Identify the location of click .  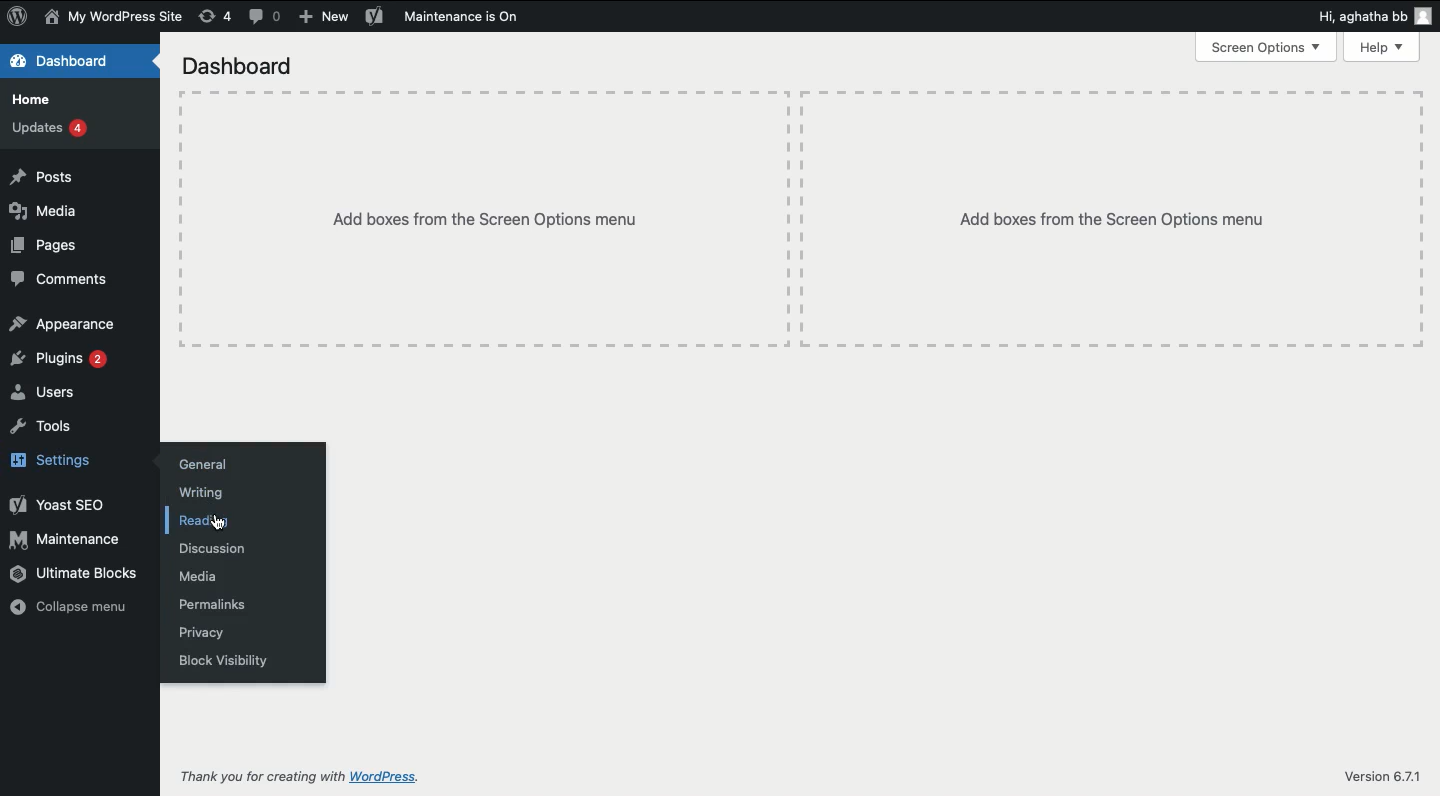
(216, 520).